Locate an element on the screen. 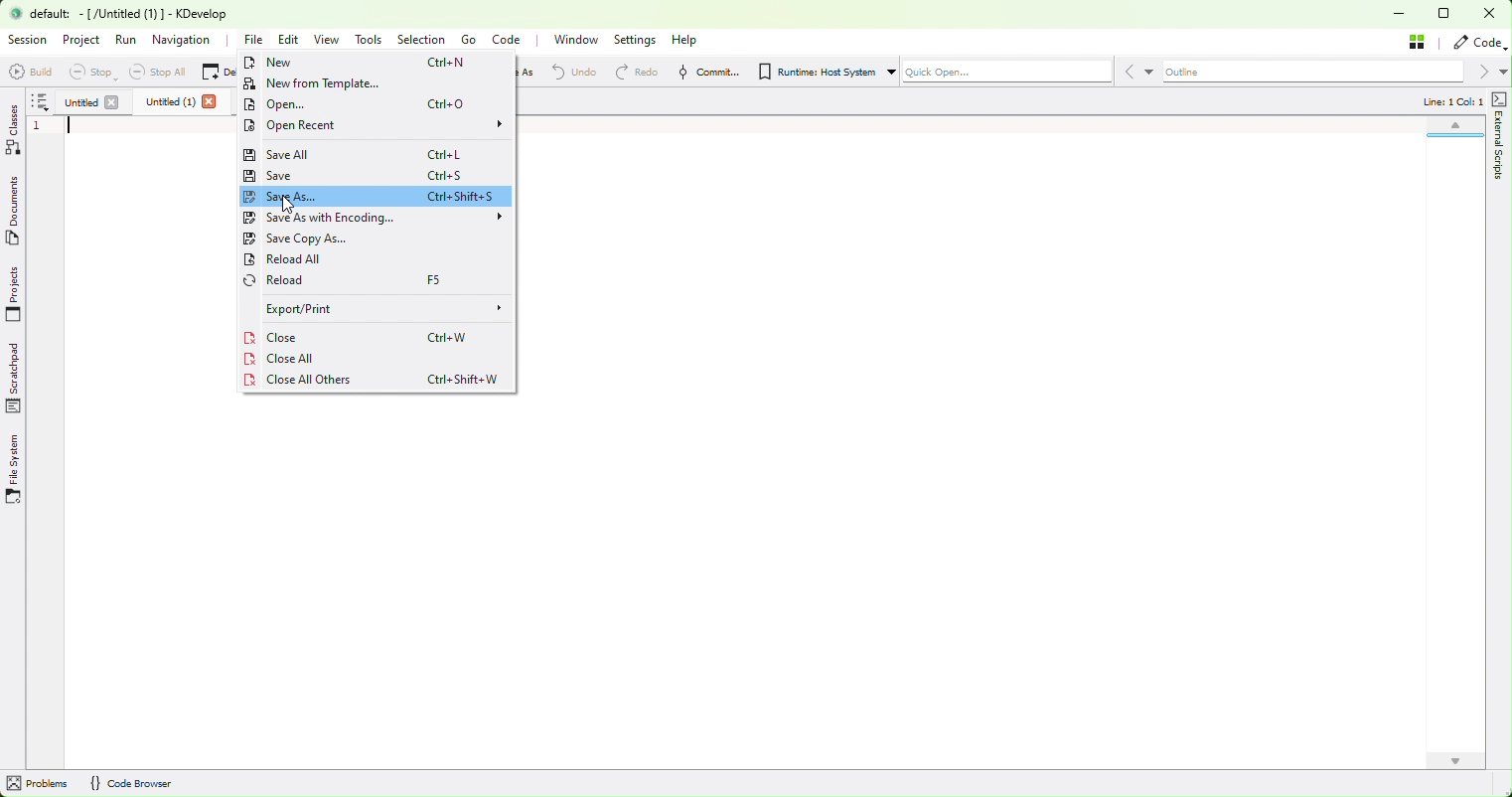 The image size is (1512, 797). Save as with encoding is located at coordinates (373, 218).